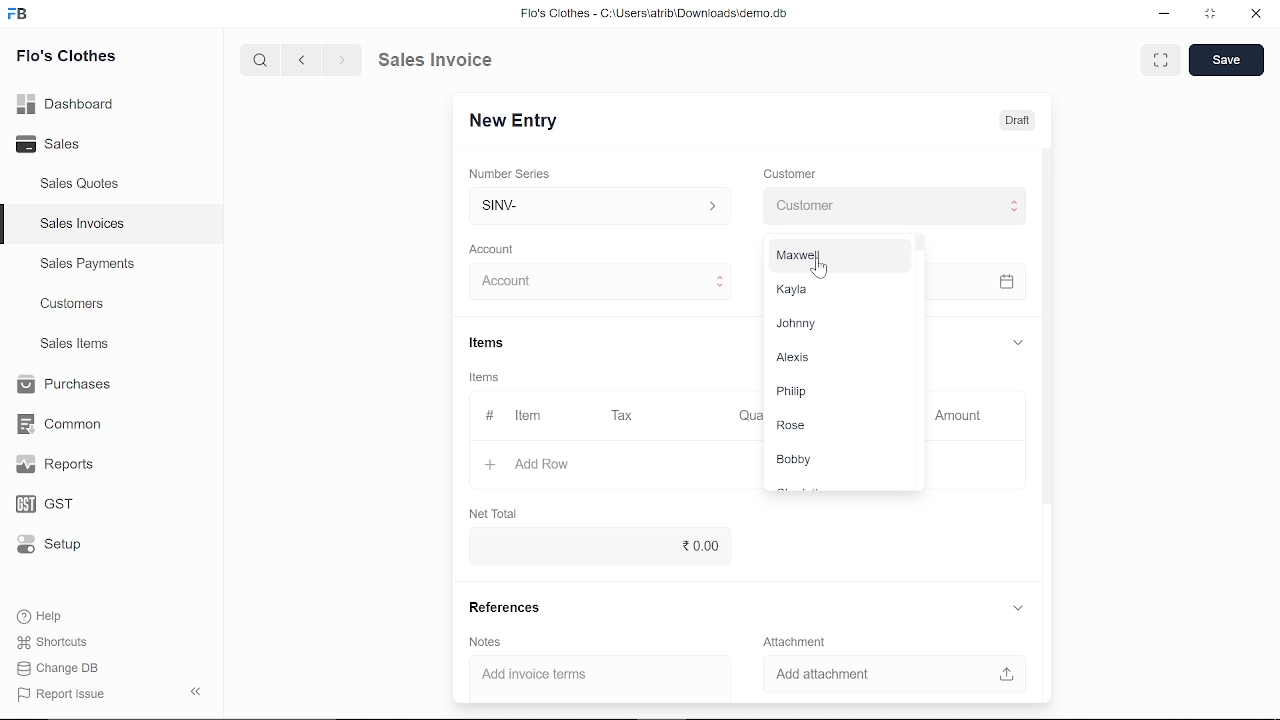 The width and height of the screenshot is (1280, 720). I want to click on expand, so click(1016, 341).